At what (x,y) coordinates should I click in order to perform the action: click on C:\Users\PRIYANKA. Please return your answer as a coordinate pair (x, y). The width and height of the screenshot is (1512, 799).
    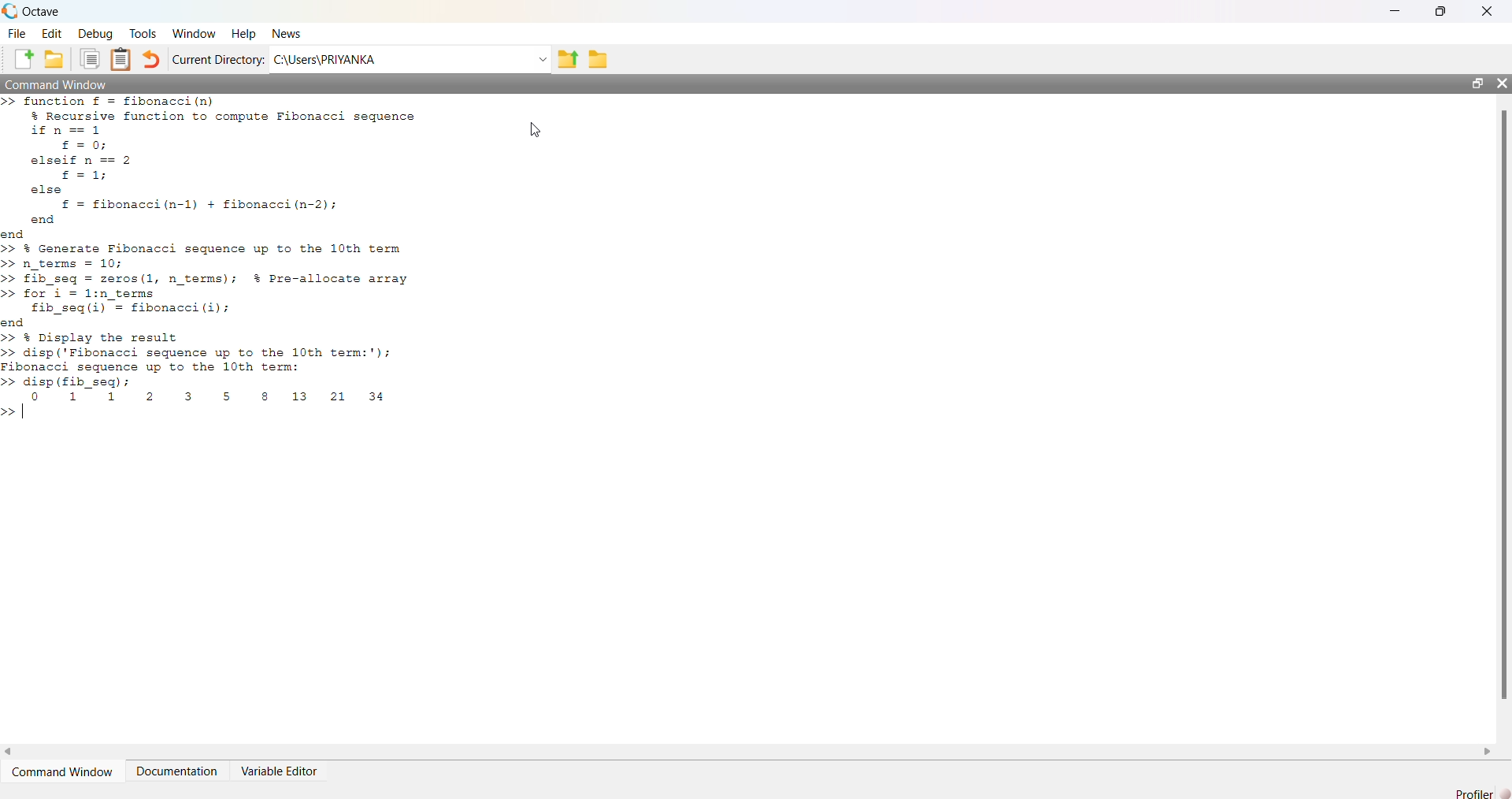
    Looking at the image, I should click on (343, 59).